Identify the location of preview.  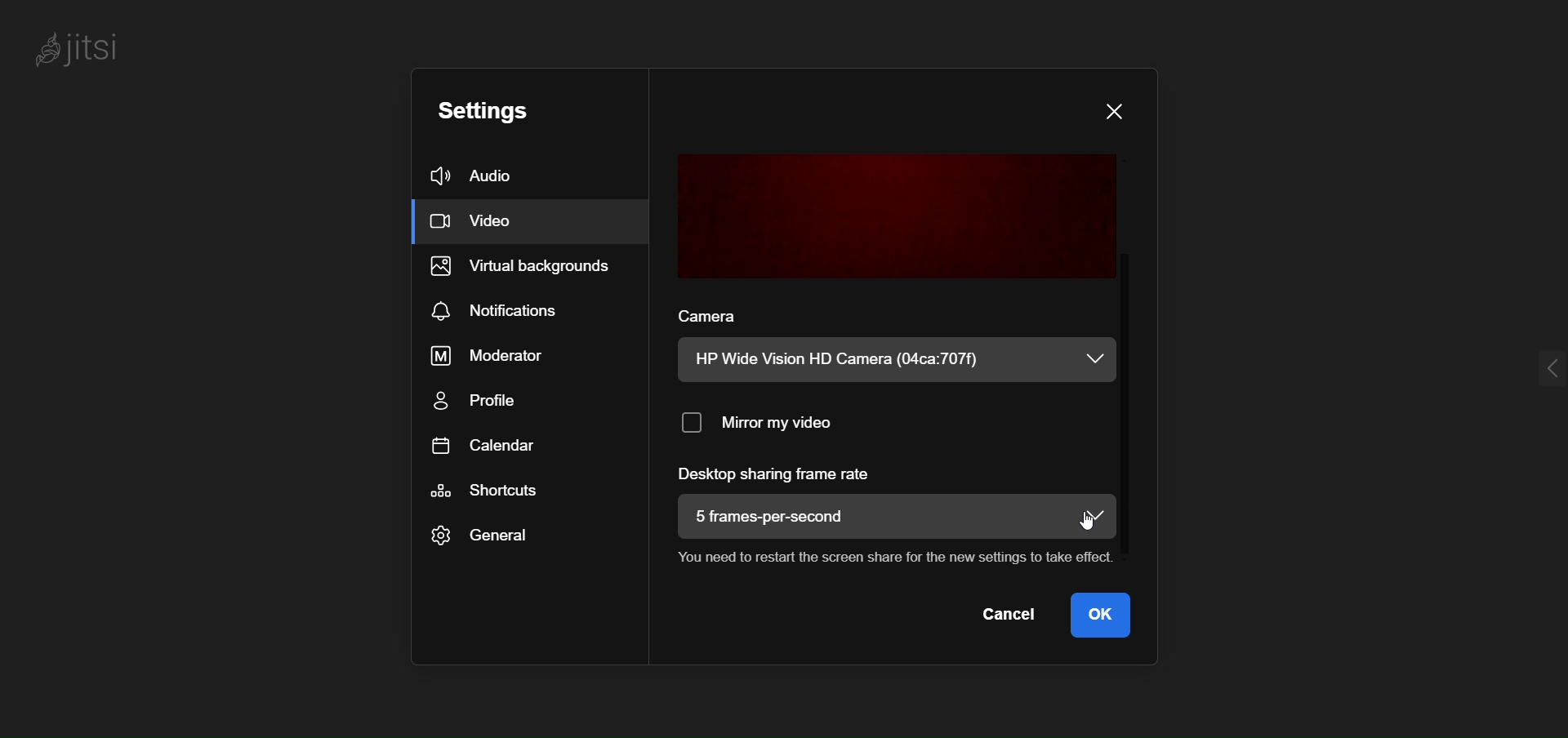
(895, 214).